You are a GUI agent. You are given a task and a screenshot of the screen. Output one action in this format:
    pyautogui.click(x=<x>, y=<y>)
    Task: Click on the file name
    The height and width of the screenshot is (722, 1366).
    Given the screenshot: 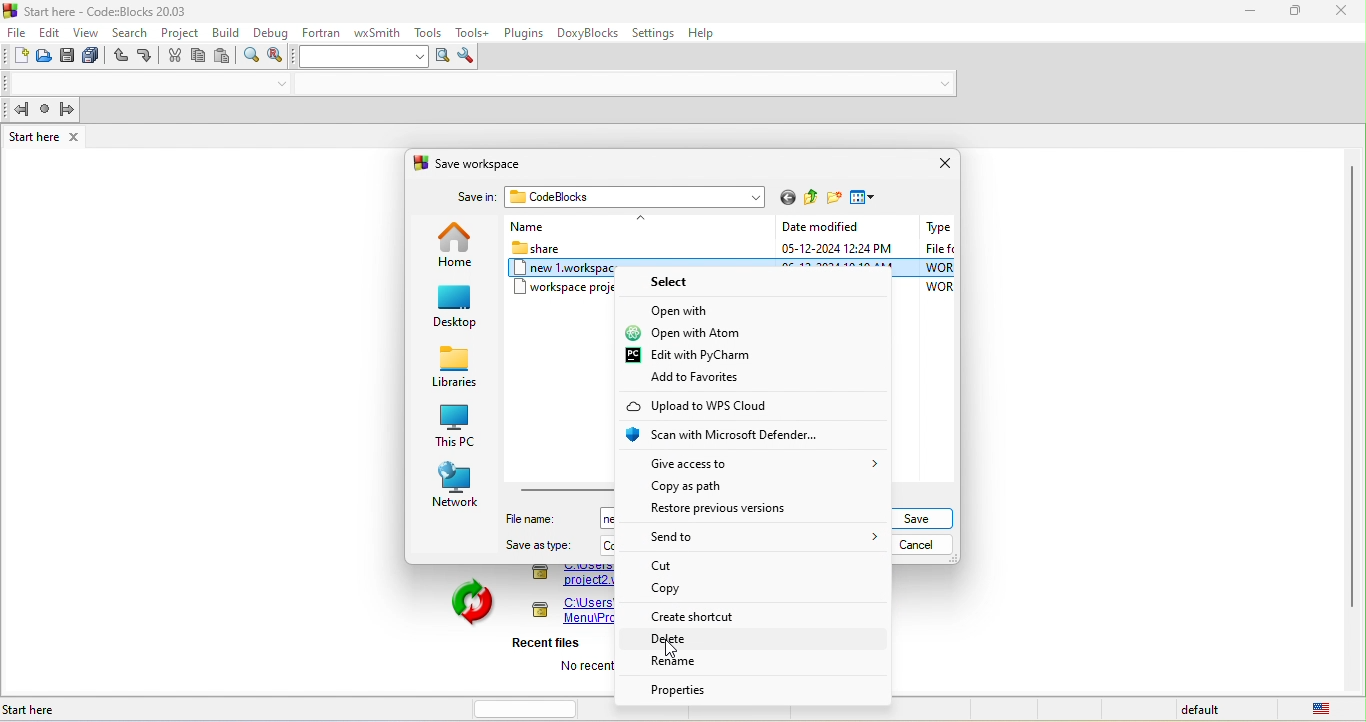 What is the action you would take?
    pyautogui.click(x=537, y=518)
    